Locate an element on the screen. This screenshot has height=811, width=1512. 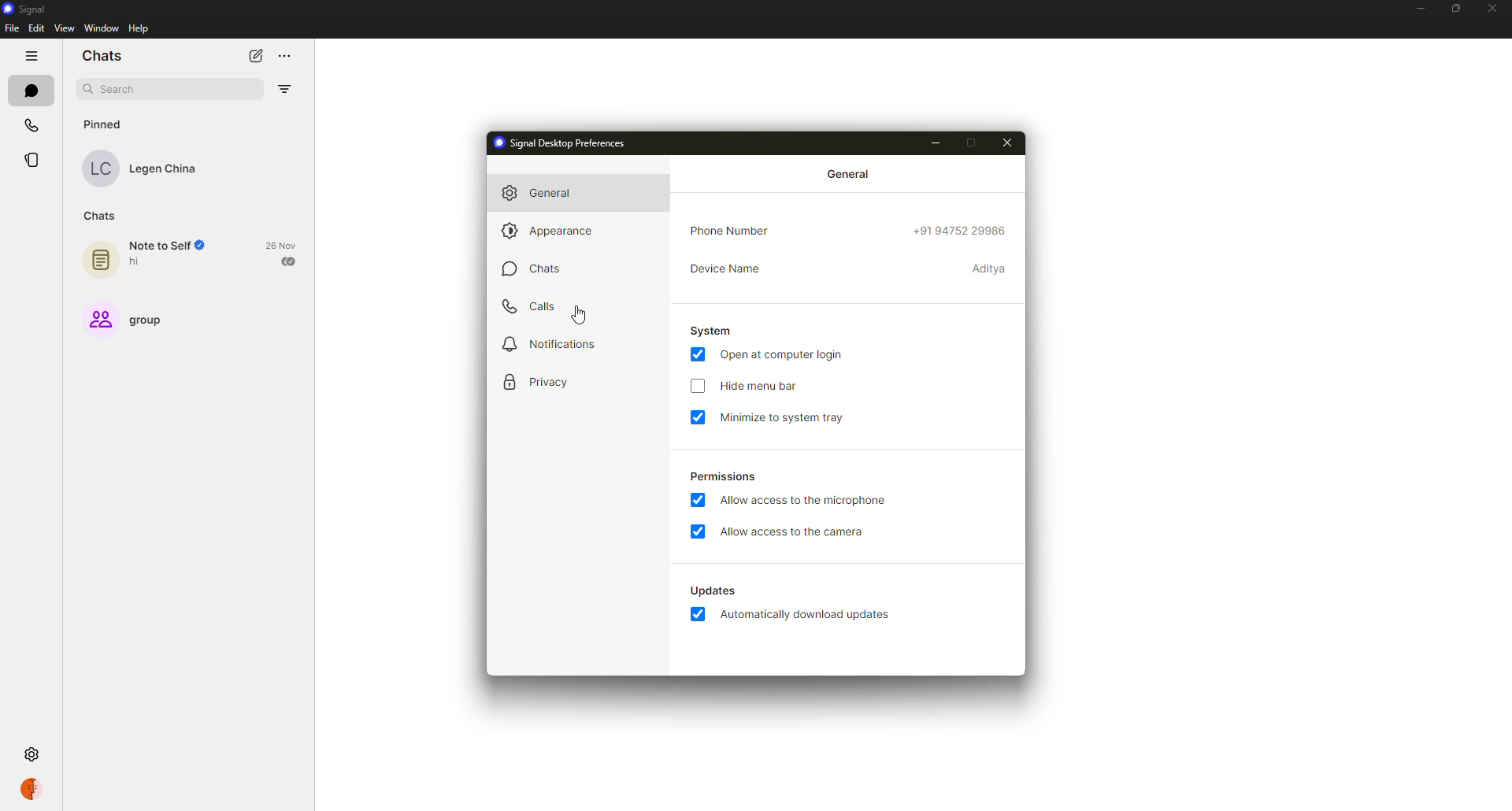
allow access to camera is located at coordinates (795, 532).